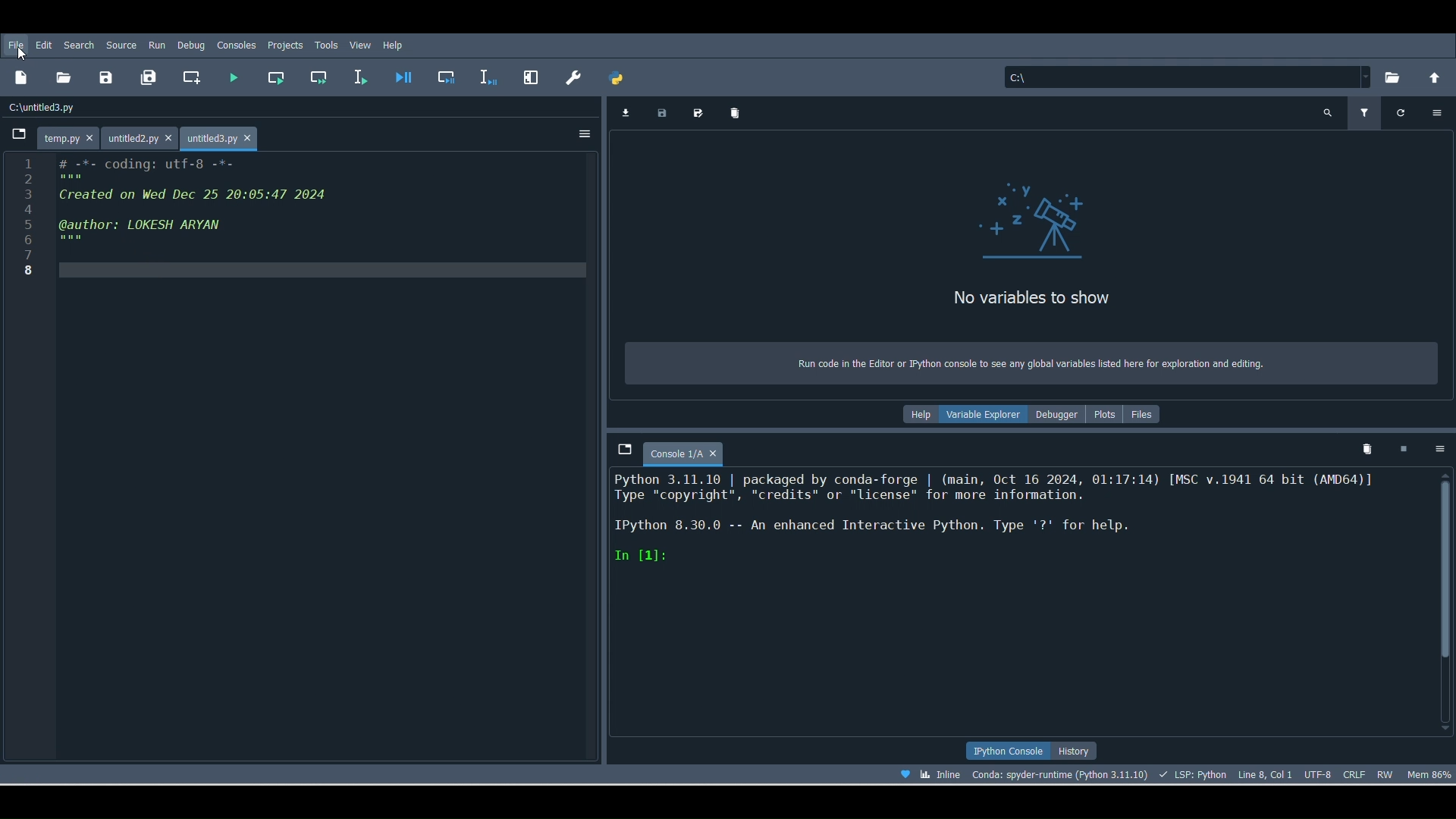  What do you see at coordinates (68, 77) in the screenshot?
I see `Open file (Ctrl + O)` at bounding box center [68, 77].